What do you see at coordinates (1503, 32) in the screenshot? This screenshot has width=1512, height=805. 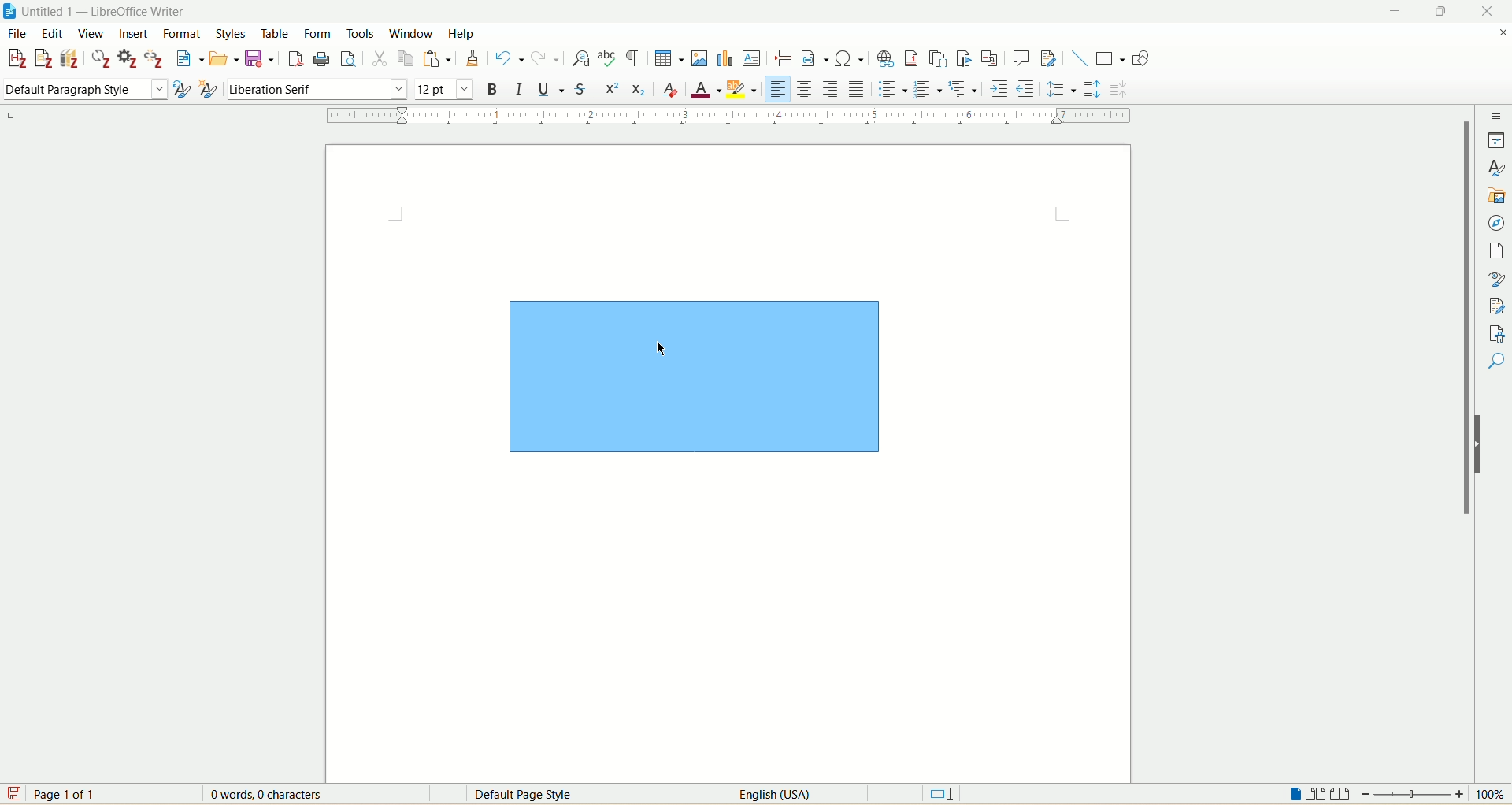 I see `close` at bounding box center [1503, 32].